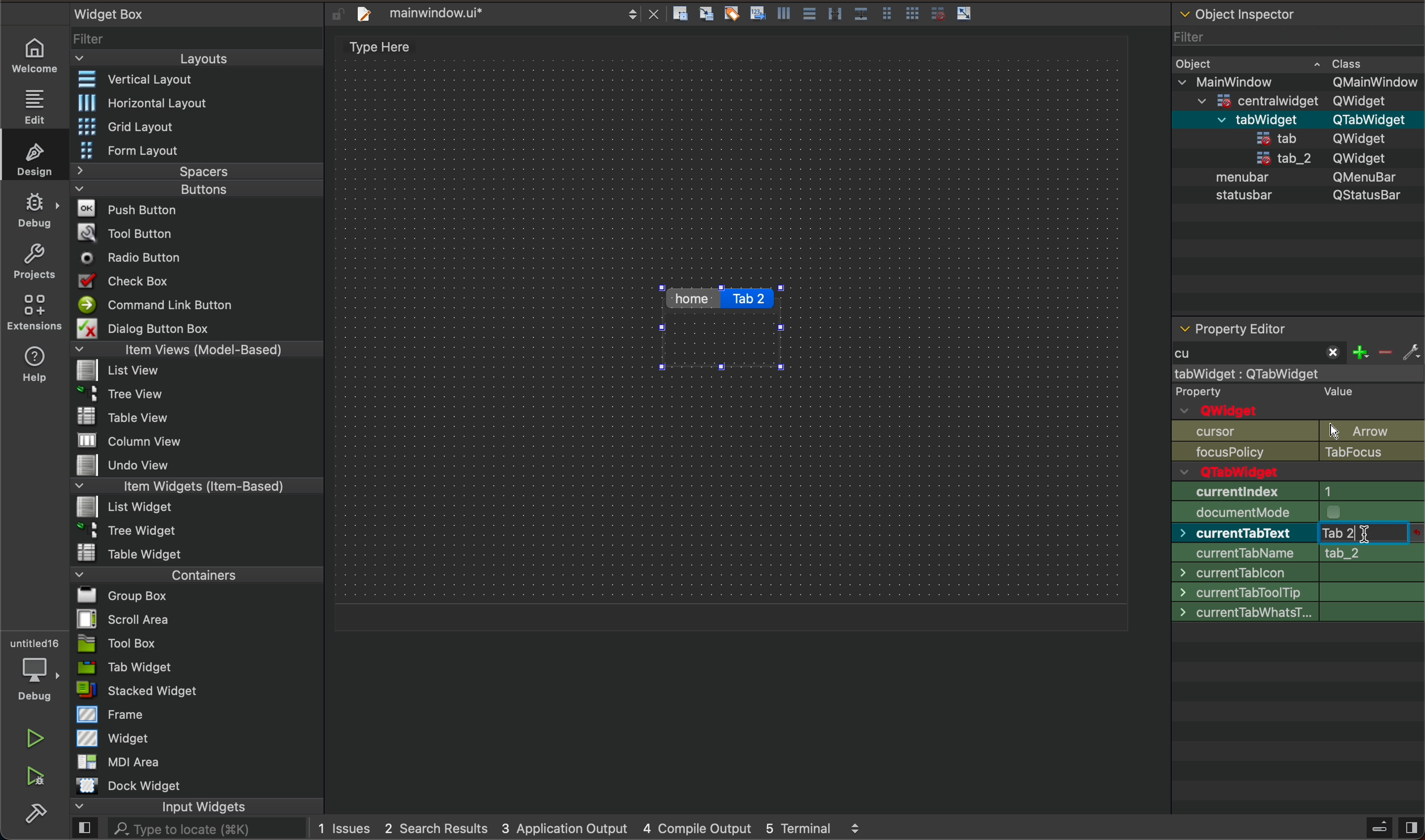 The width and height of the screenshot is (1425, 840). Describe the element at coordinates (1298, 16) in the screenshot. I see `object inspector` at that location.